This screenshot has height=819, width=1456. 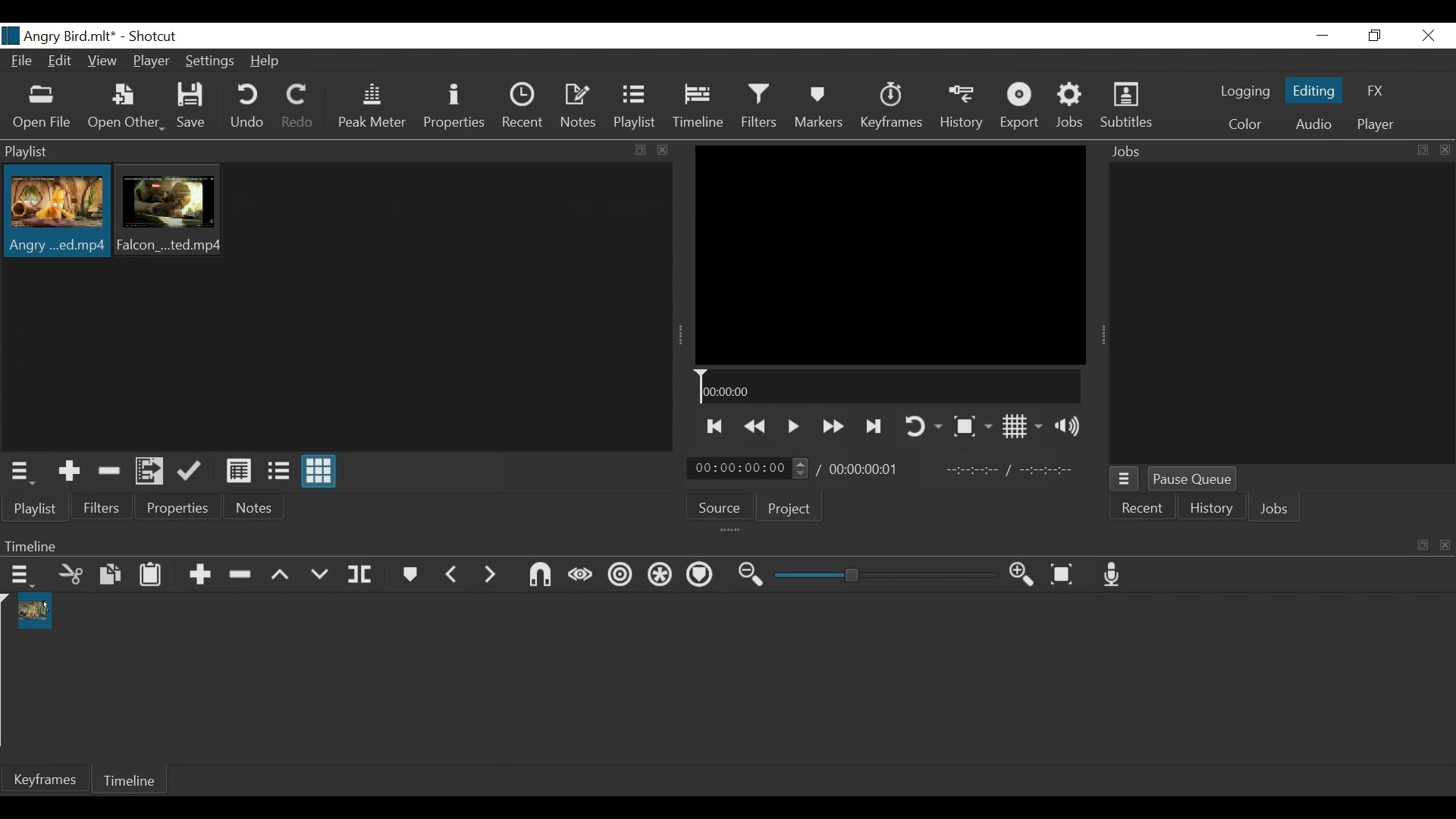 What do you see at coordinates (491, 575) in the screenshot?
I see `Next Marker` at bounding box center [491, 575].